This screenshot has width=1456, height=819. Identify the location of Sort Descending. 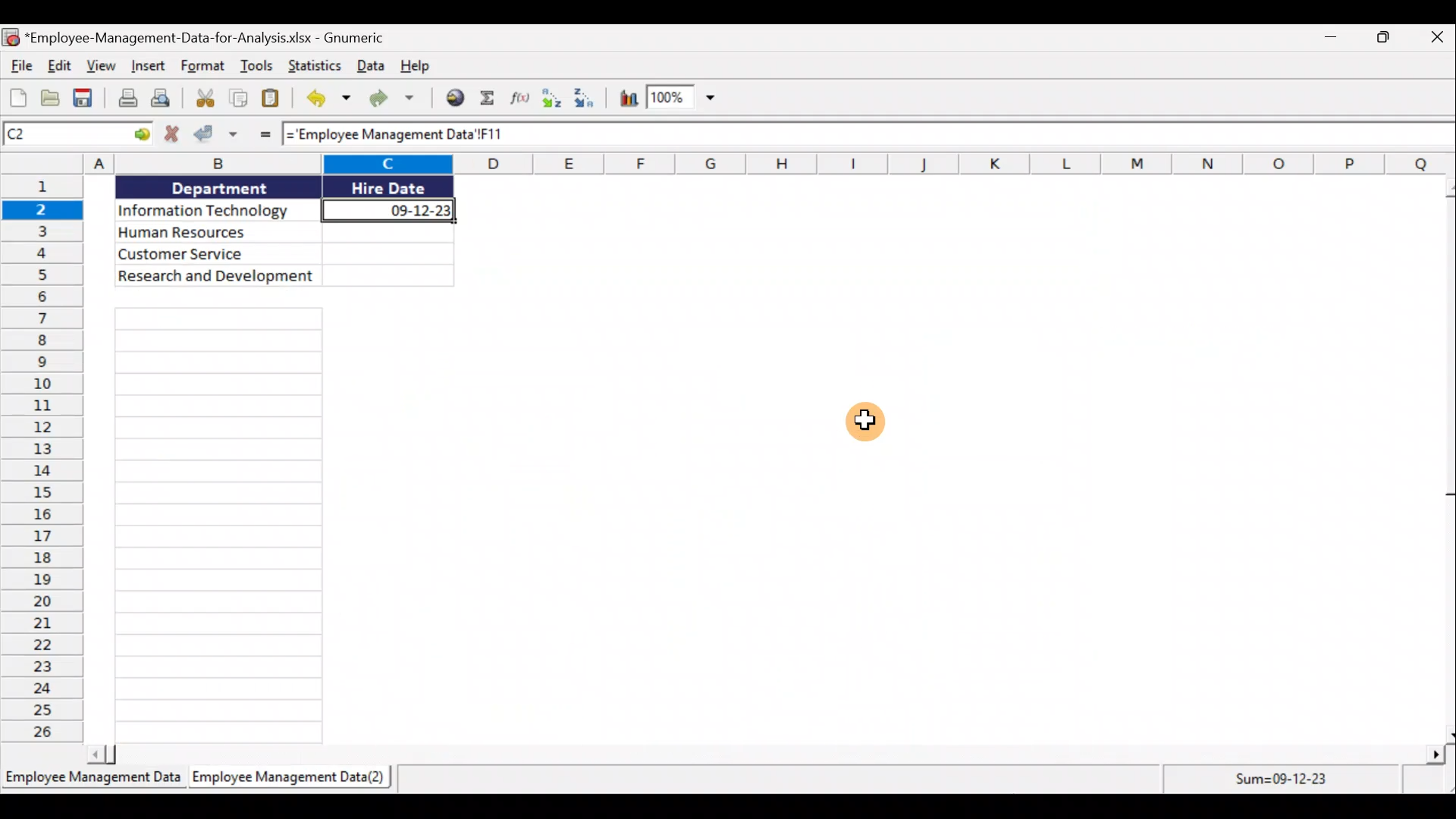
(589, 99).